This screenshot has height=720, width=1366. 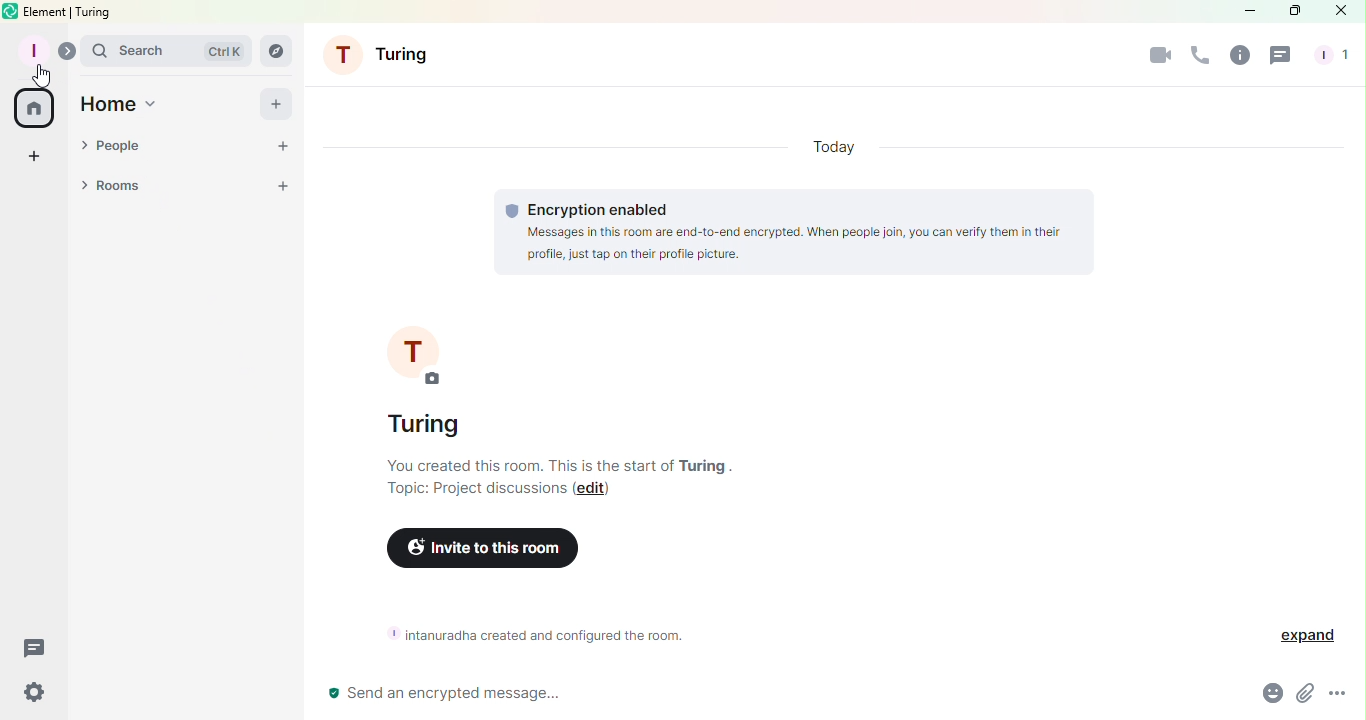 What do you see at coordinates (29, 695) in the screenshot?
I see `Quick settings` at bounding box center [29, 695].